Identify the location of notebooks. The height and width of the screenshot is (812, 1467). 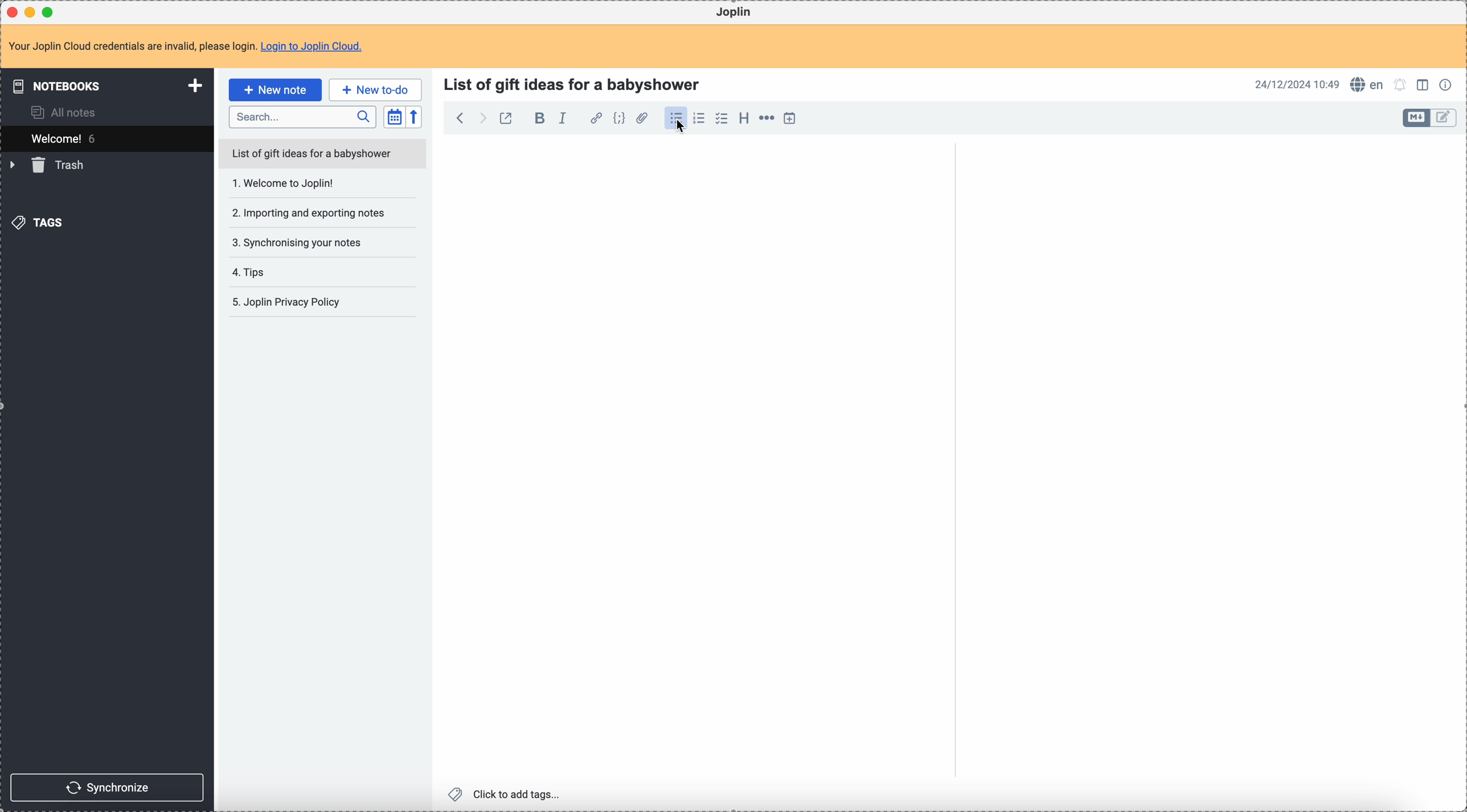
(103, 87).